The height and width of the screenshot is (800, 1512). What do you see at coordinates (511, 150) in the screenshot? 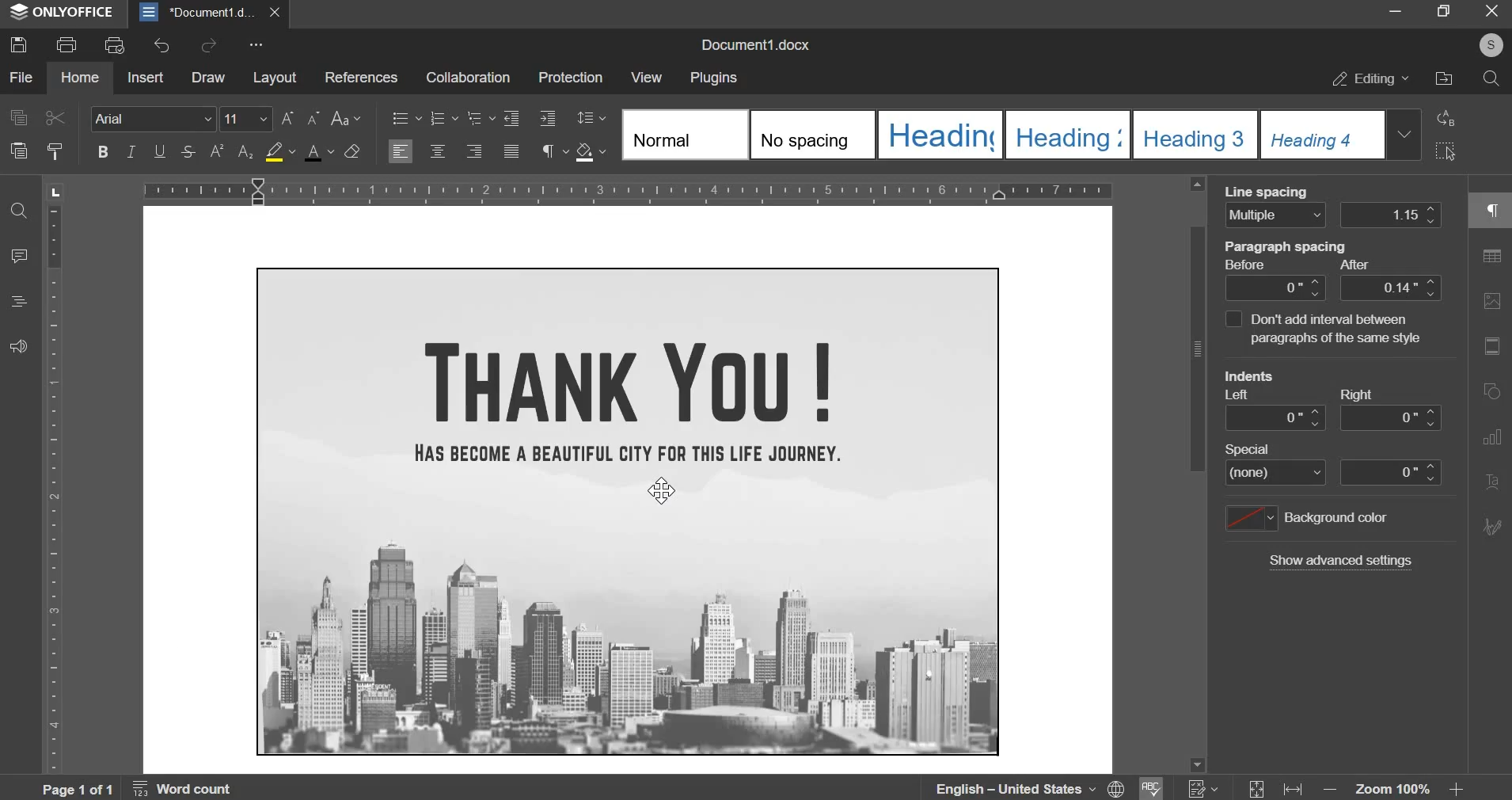
I see `justified` at bounding box center [511, 150].